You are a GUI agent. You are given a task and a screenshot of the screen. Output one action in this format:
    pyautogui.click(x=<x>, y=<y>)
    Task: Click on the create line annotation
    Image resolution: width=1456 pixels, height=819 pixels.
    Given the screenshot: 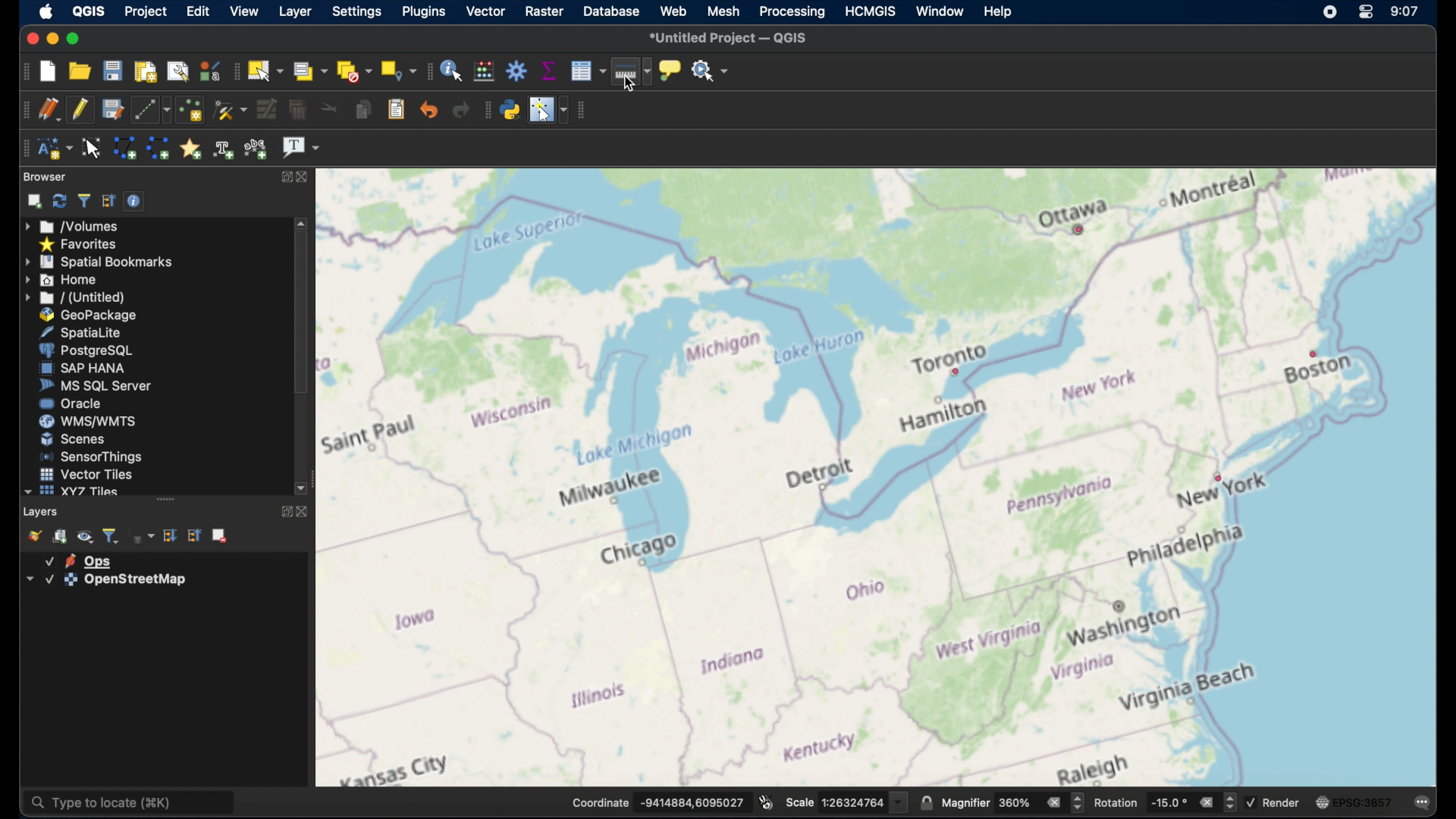 What is the action you would take?
    pyautogui.click(x=158, y=148)
    